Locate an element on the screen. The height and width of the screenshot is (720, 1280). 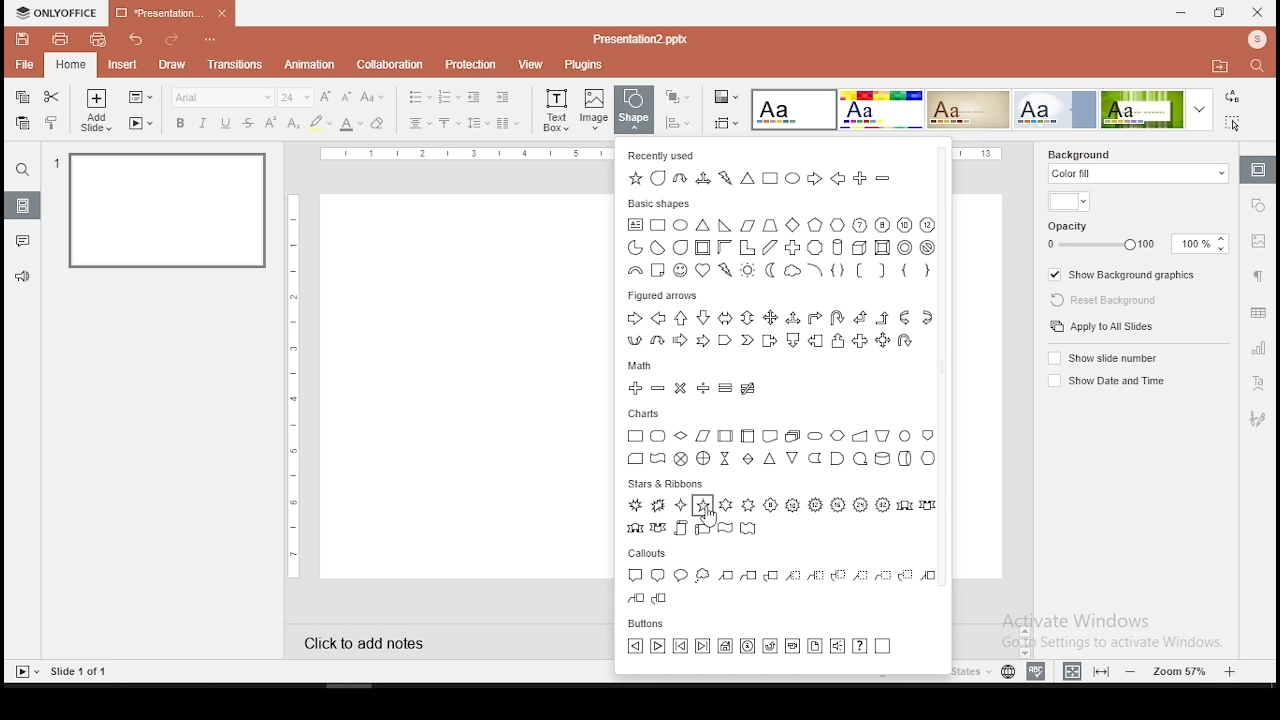
animation is located at coordinates (312, 65).